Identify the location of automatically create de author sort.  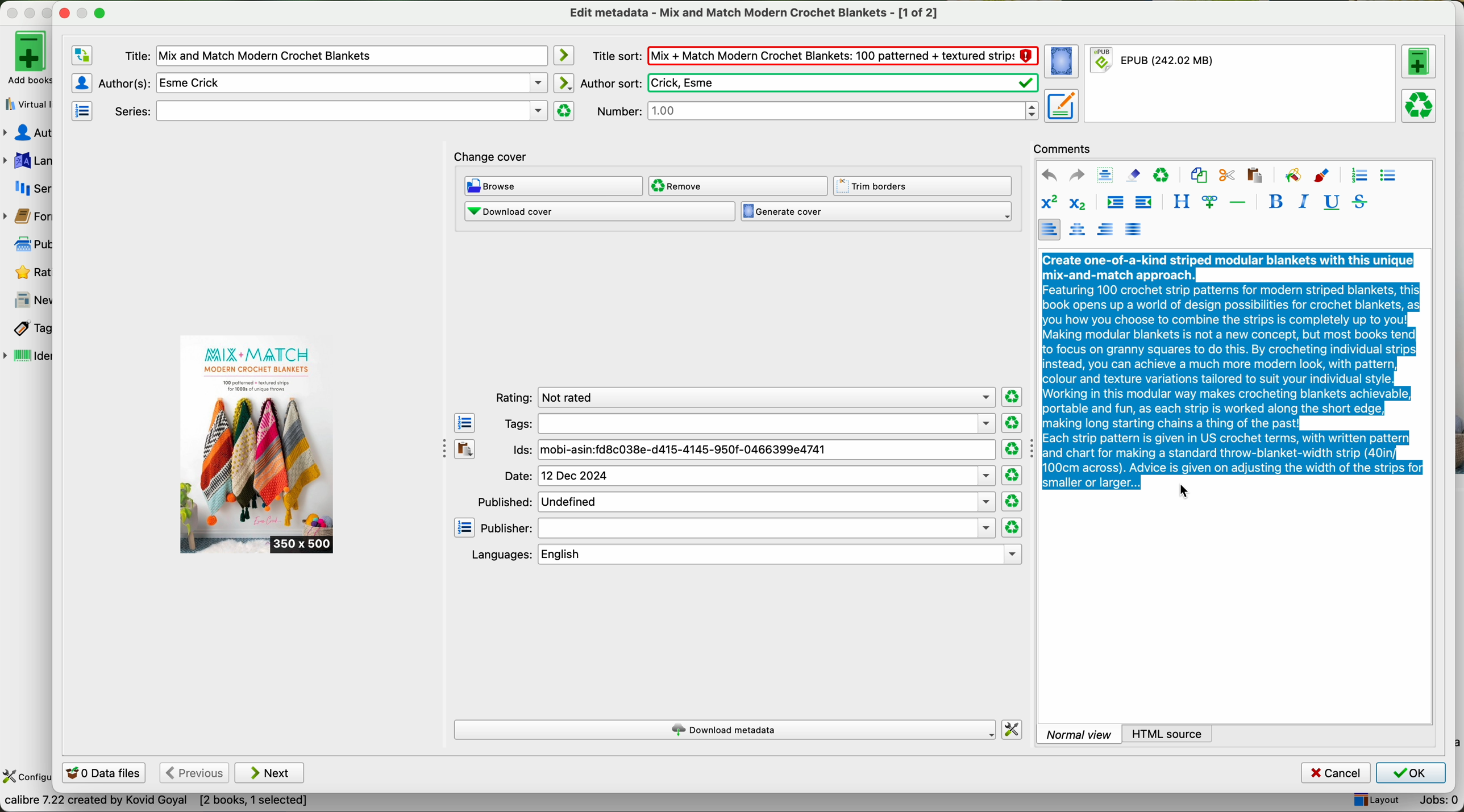
(563, 82).